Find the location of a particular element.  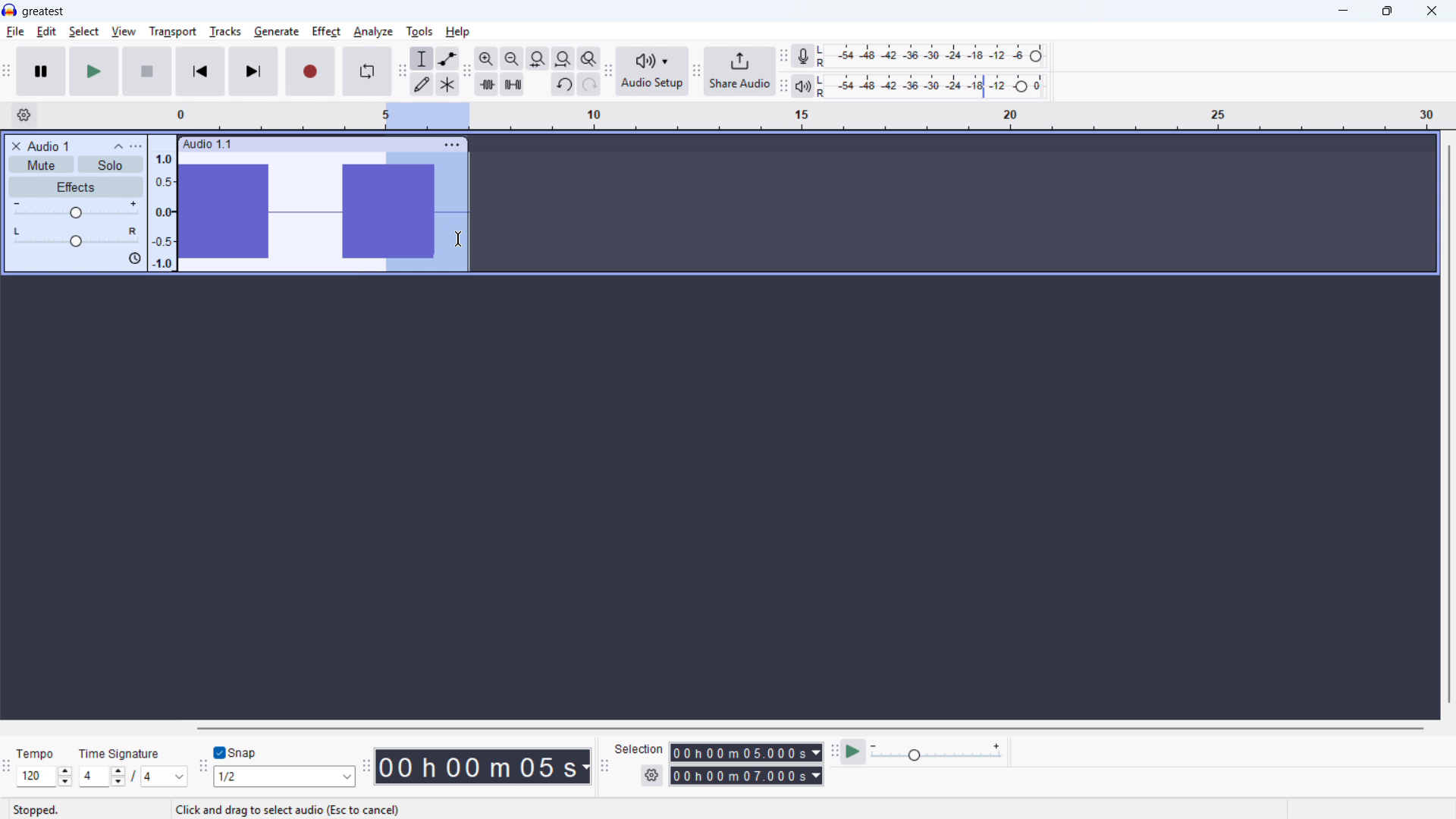

analyse is located at coordinates (372, 33).